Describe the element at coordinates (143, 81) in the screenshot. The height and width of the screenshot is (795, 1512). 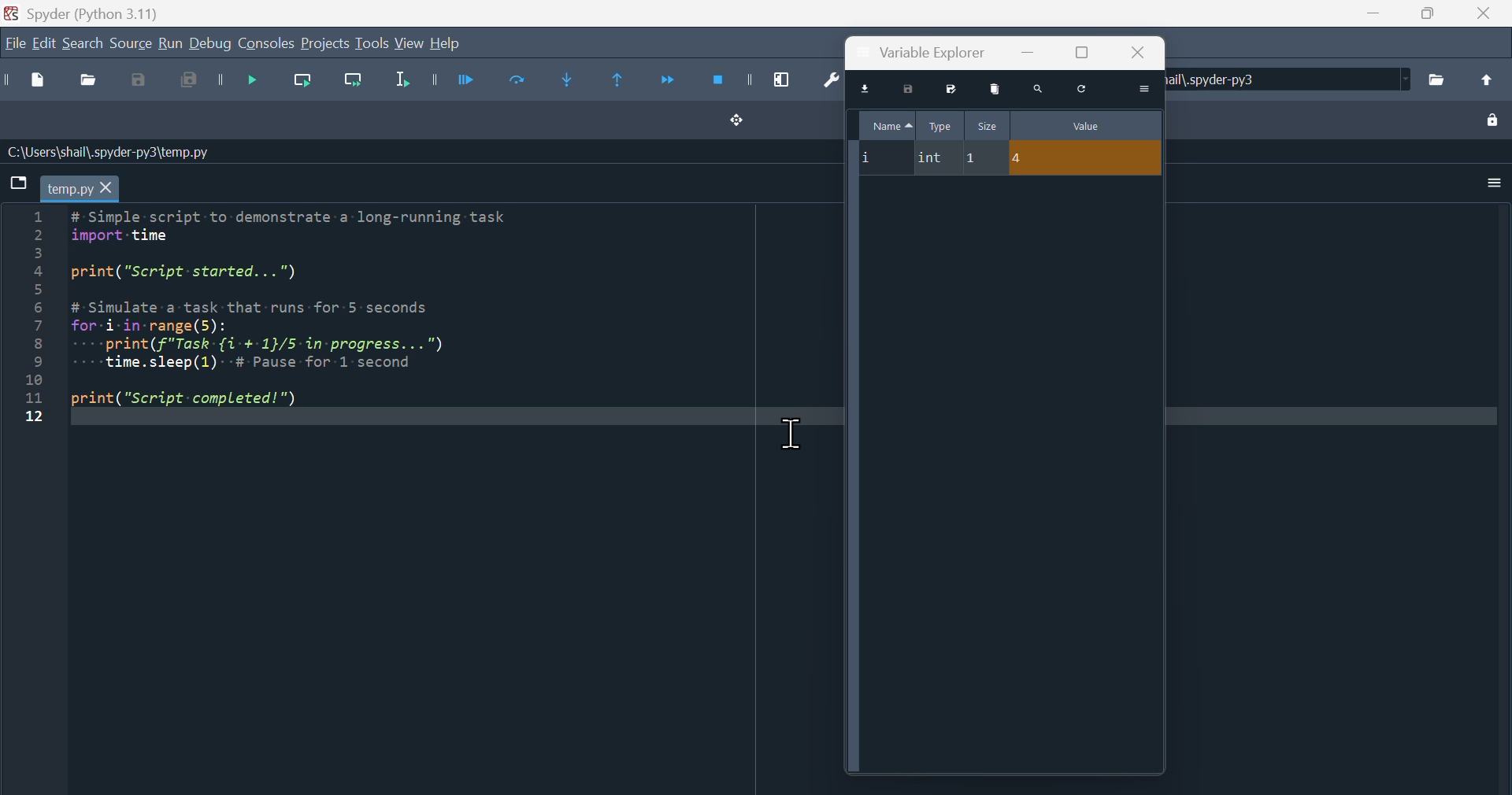
I see `save as` at that location.